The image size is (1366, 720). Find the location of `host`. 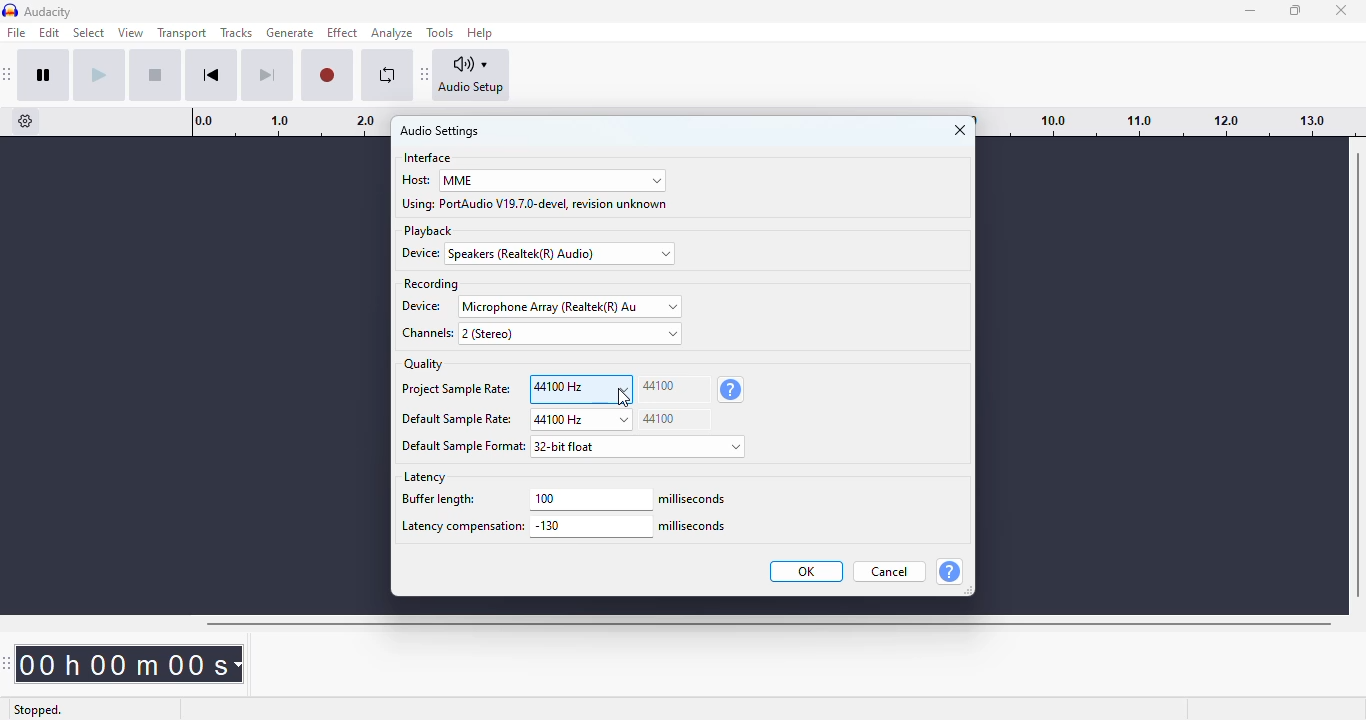

host is located at coordinates (415, 179).